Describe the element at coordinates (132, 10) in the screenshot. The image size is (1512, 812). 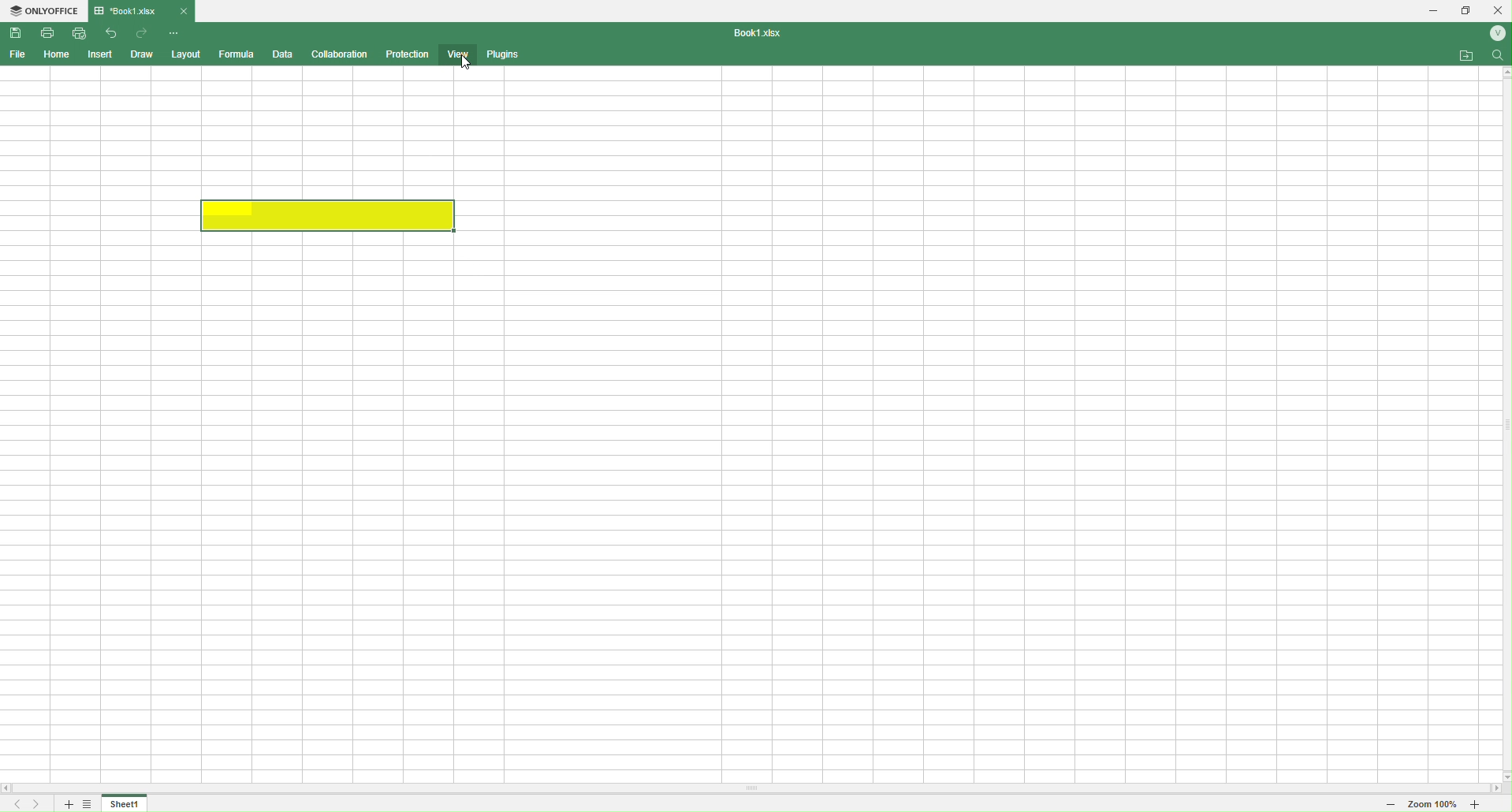
I see `Book1.xlsx` at that location.